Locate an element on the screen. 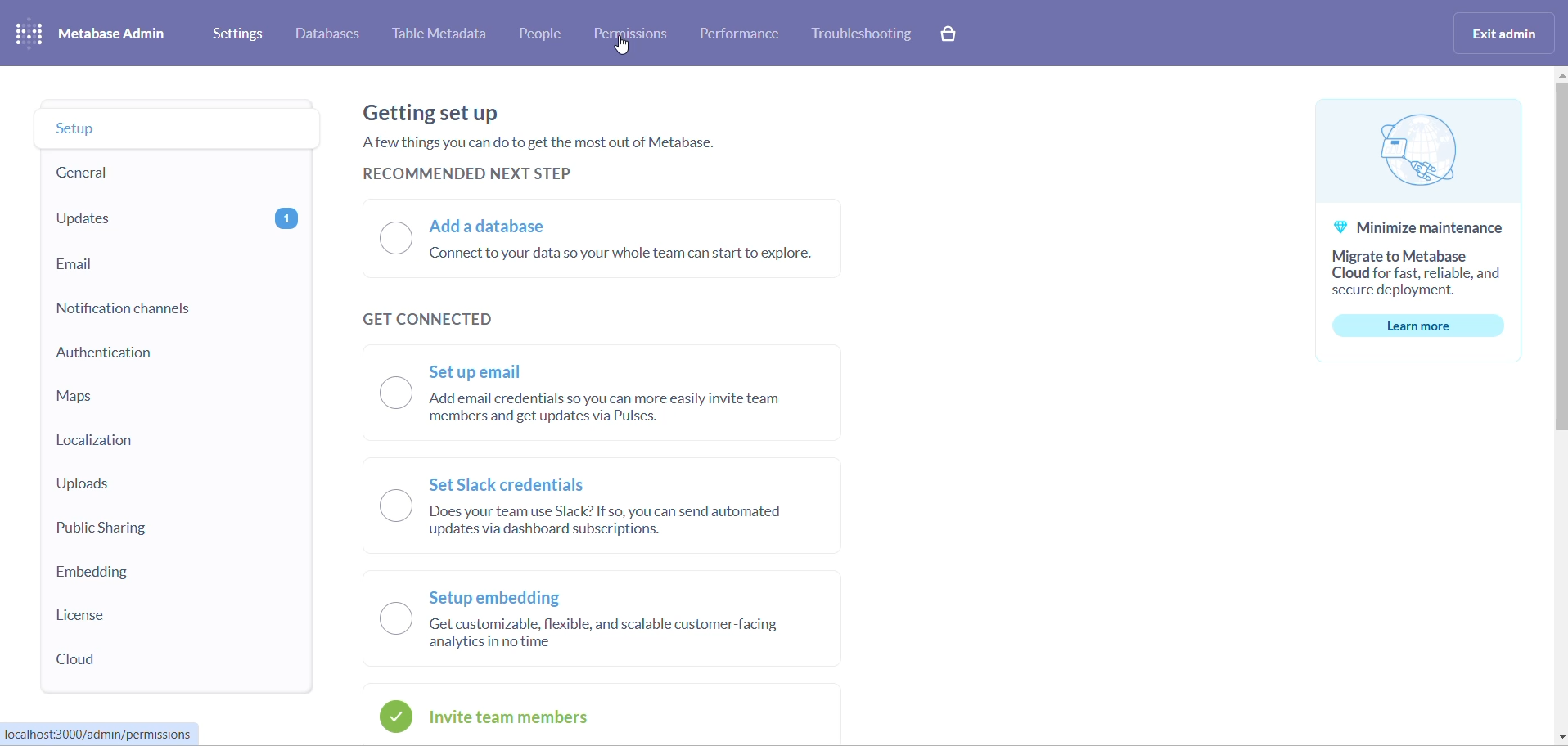  move down is located at coordinates (1558, 738).